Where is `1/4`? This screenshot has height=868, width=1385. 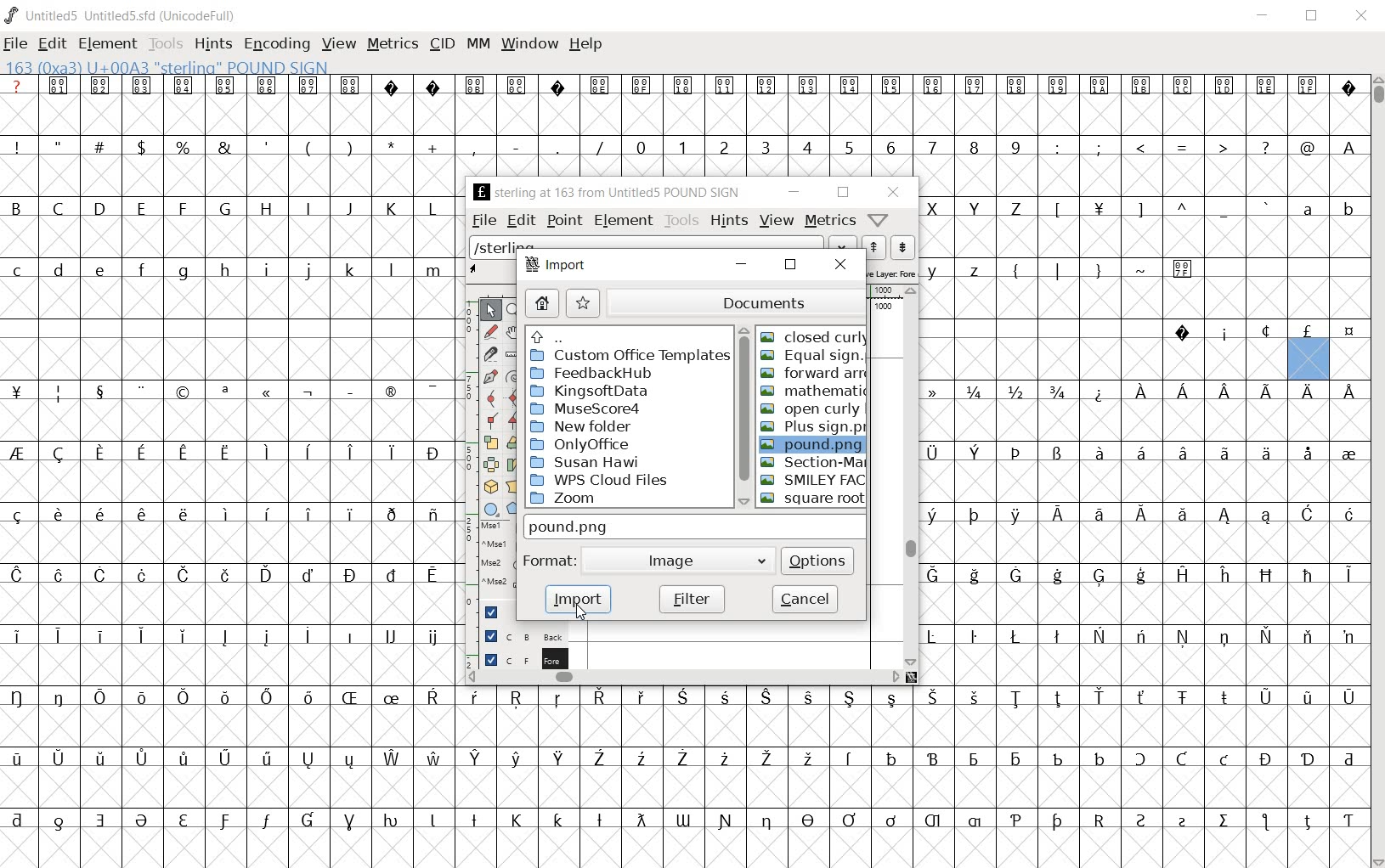
1/4 is located at coordinates (974, 392).